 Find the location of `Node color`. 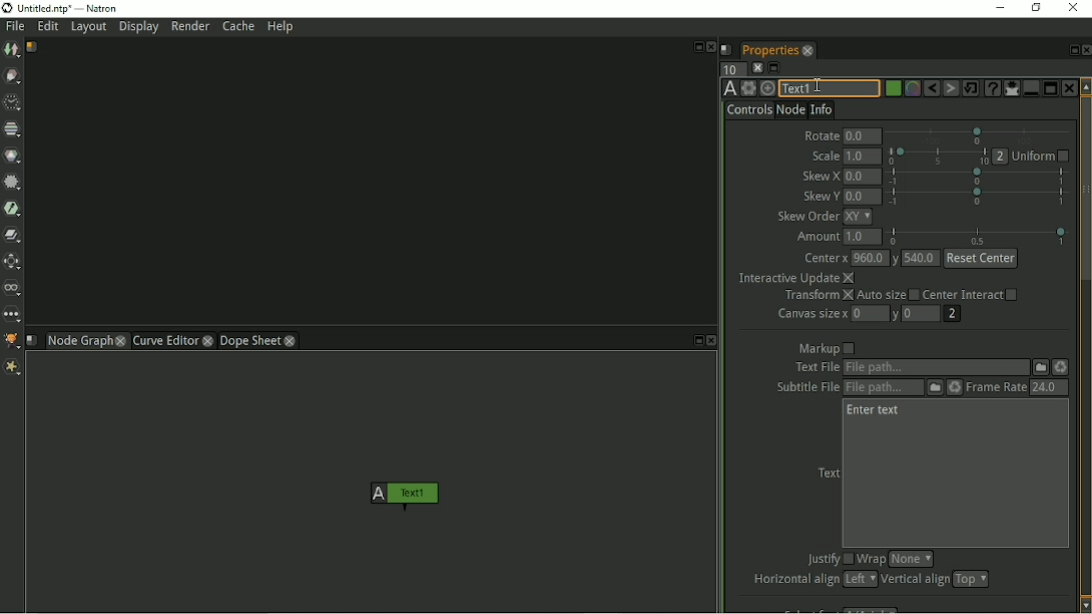

Node color is located at coordinates (891, 89).